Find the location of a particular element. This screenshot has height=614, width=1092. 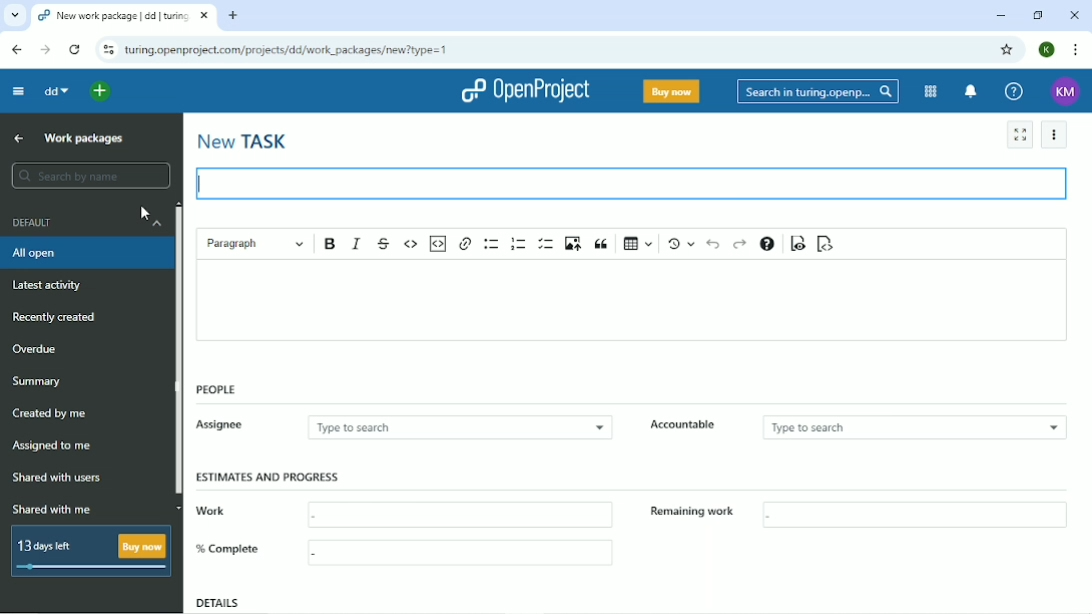

Back is located at coordinates (17, 49).